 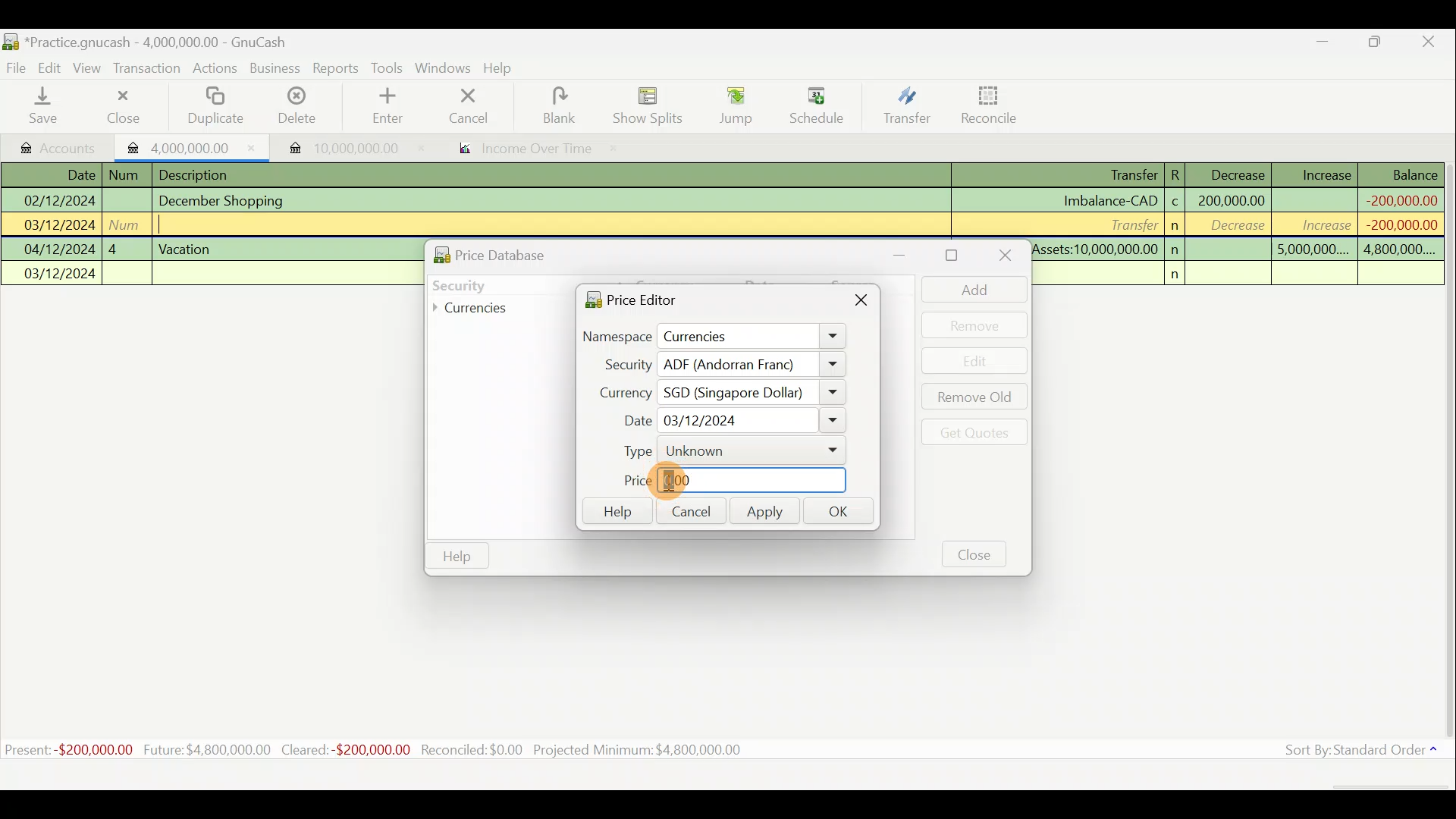 What do you see at coordinates (217, 69) in the screenshot?
I see `Actions` at bounding box center [217, 69].